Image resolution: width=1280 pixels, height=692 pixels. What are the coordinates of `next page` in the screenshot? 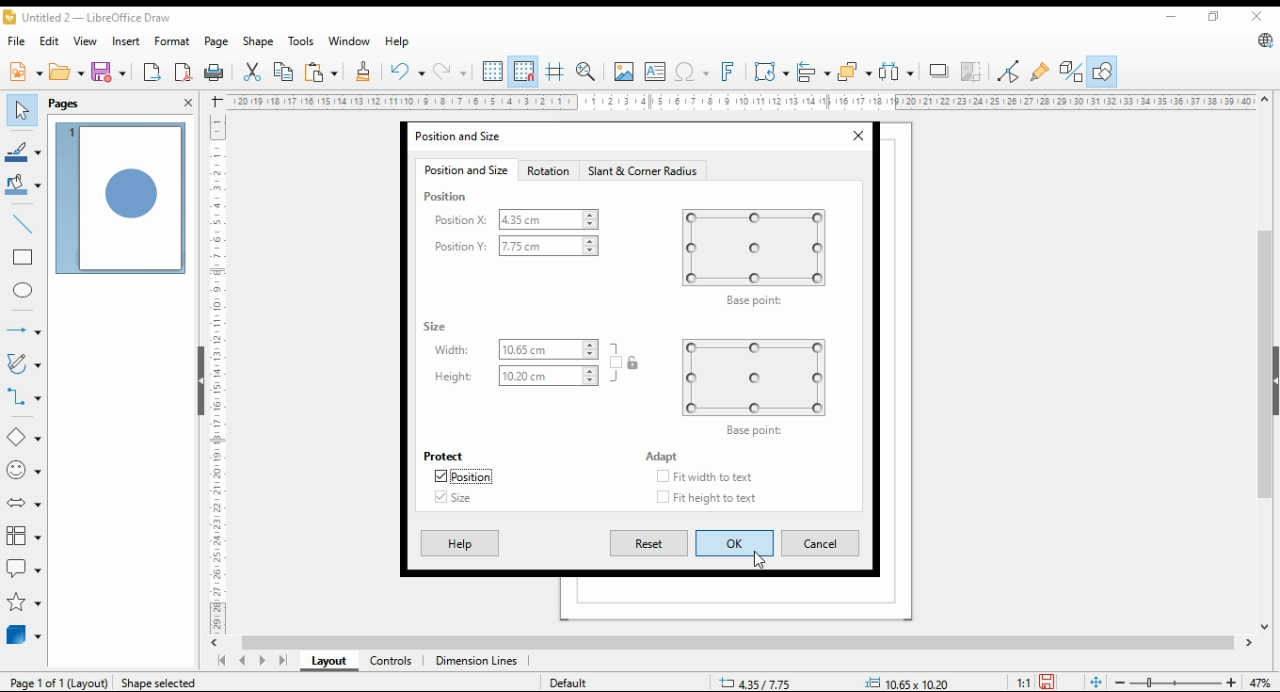 It's located at (261, 660).